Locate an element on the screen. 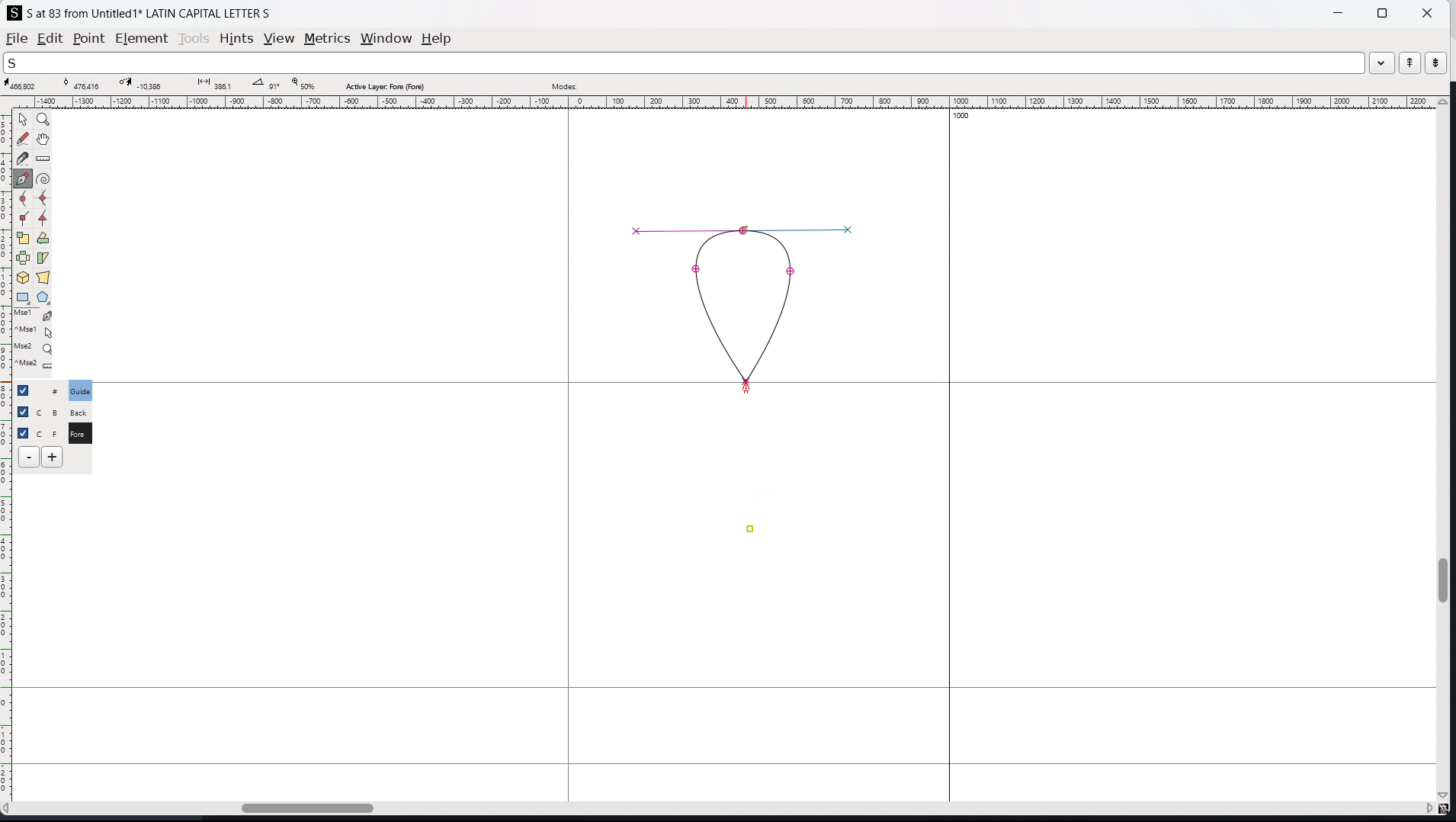 This screenshot has height=822, width=1456. help is located at coordinates (437, 39).